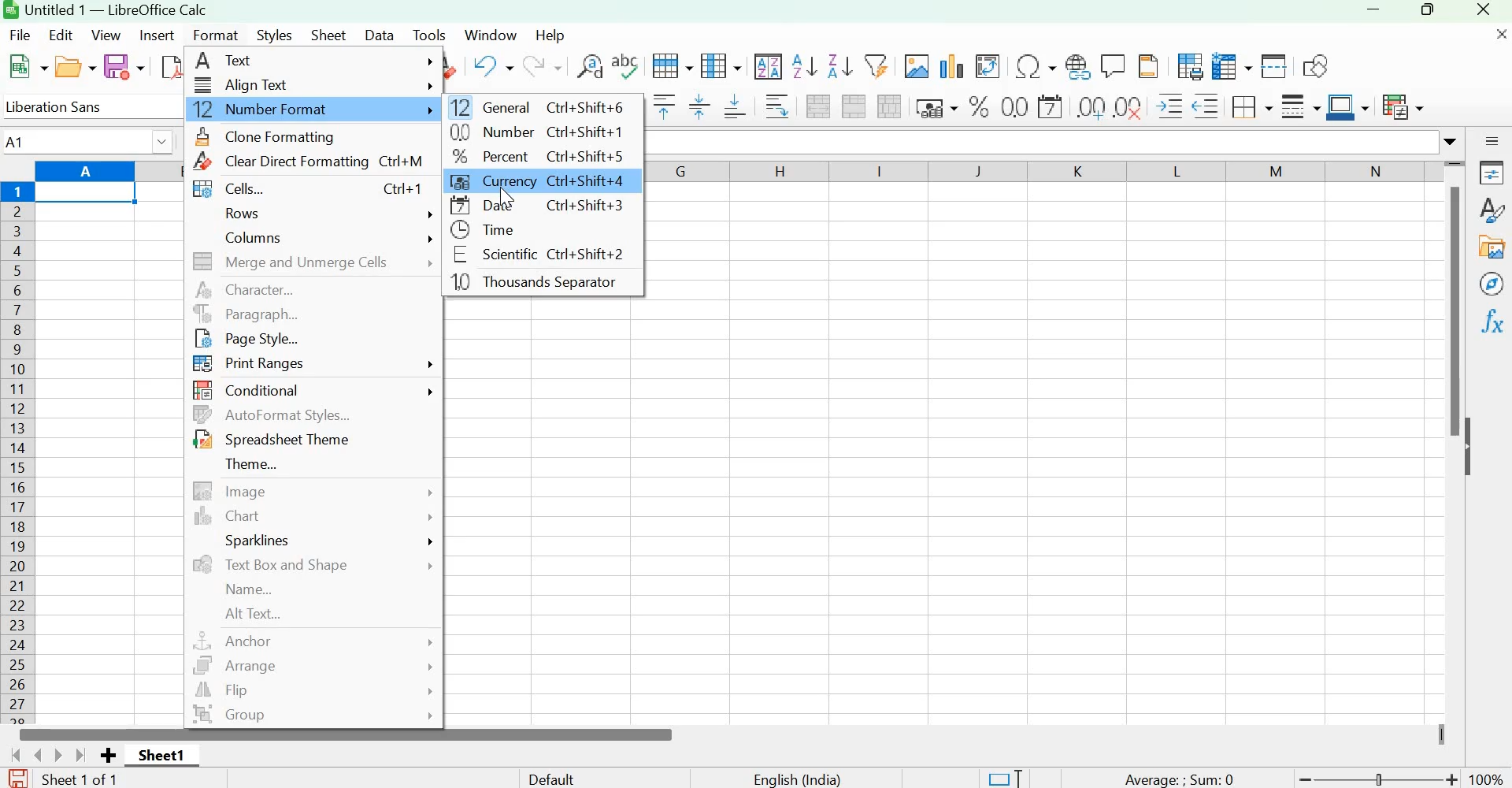  I want to click on Scrollbar, so click(1449, 314).